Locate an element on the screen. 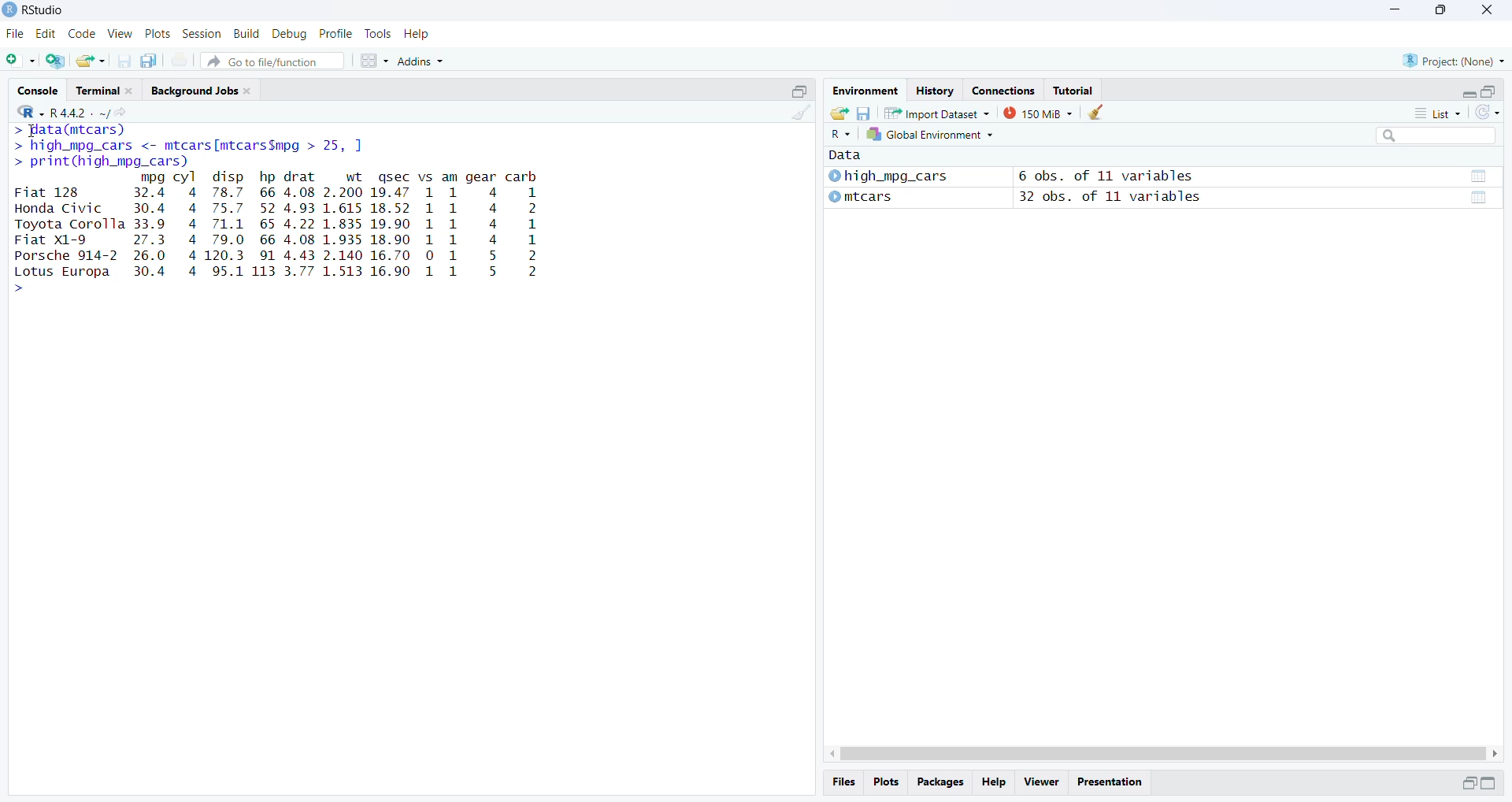  Debug is located at coordinates (291, 34).